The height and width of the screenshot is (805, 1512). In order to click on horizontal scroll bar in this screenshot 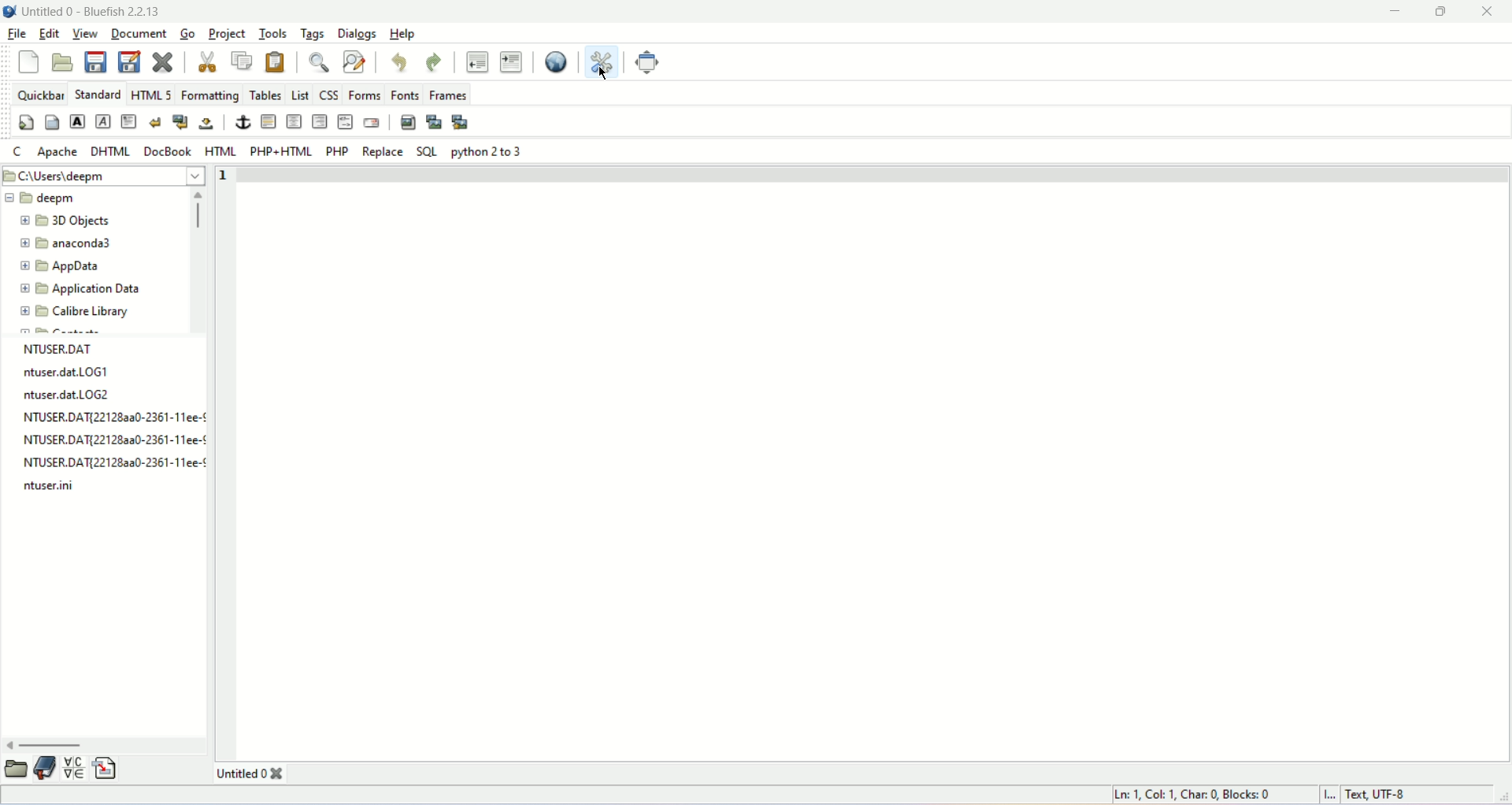, I will do `click(50, 746)`.